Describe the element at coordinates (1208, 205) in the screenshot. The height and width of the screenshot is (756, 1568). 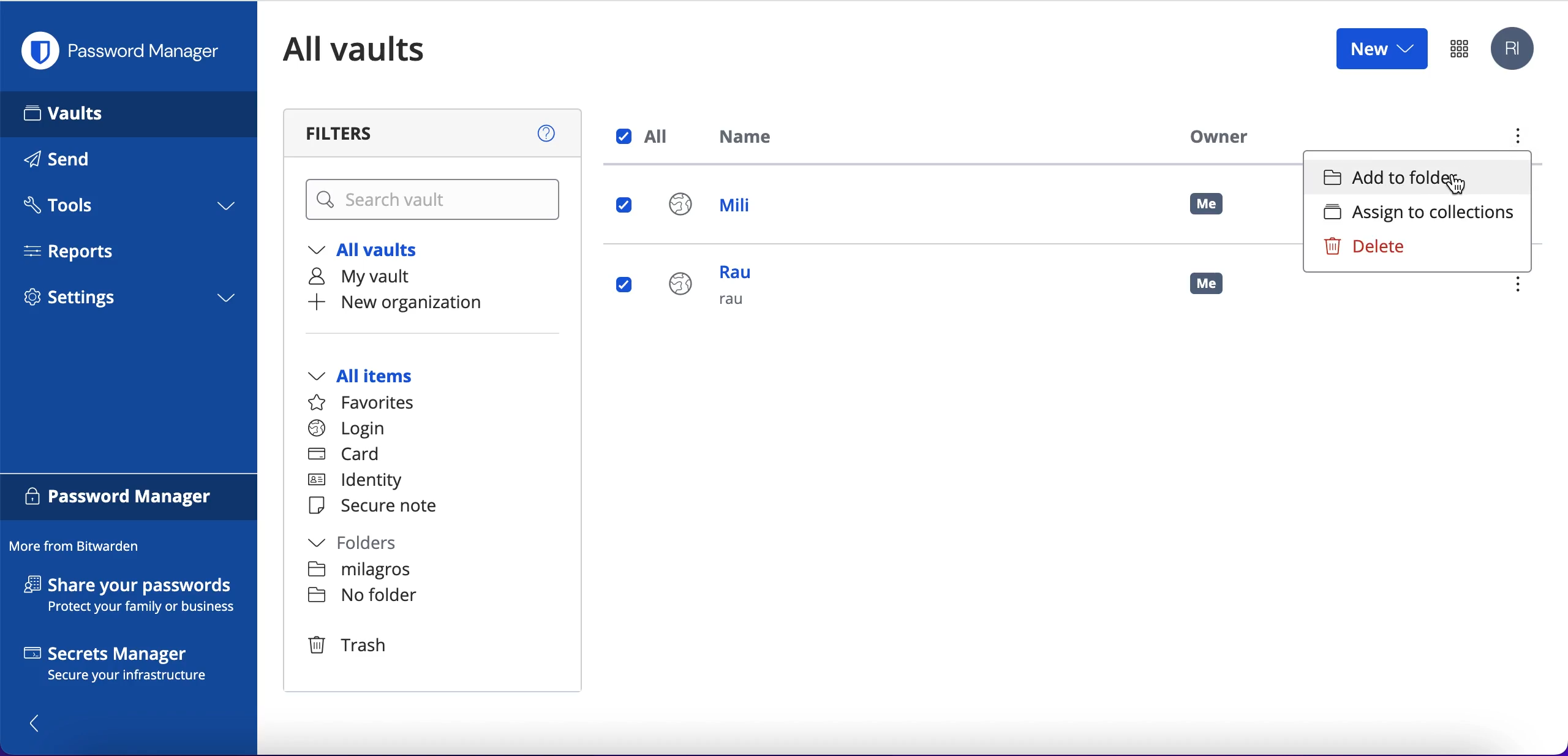
I see `me` at that location.